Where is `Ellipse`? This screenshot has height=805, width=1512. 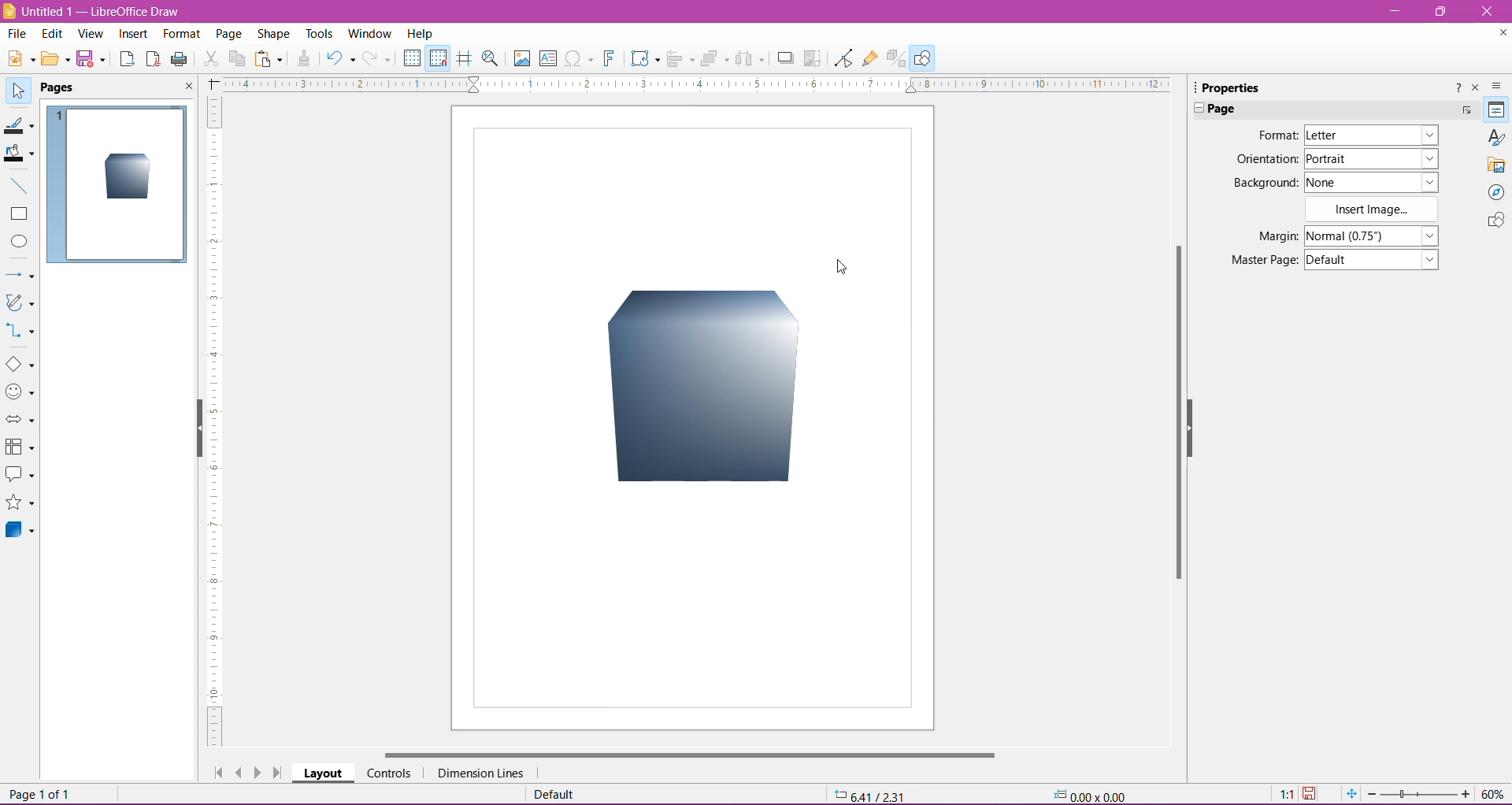
Ellipse is located at coordinates (18, 242).